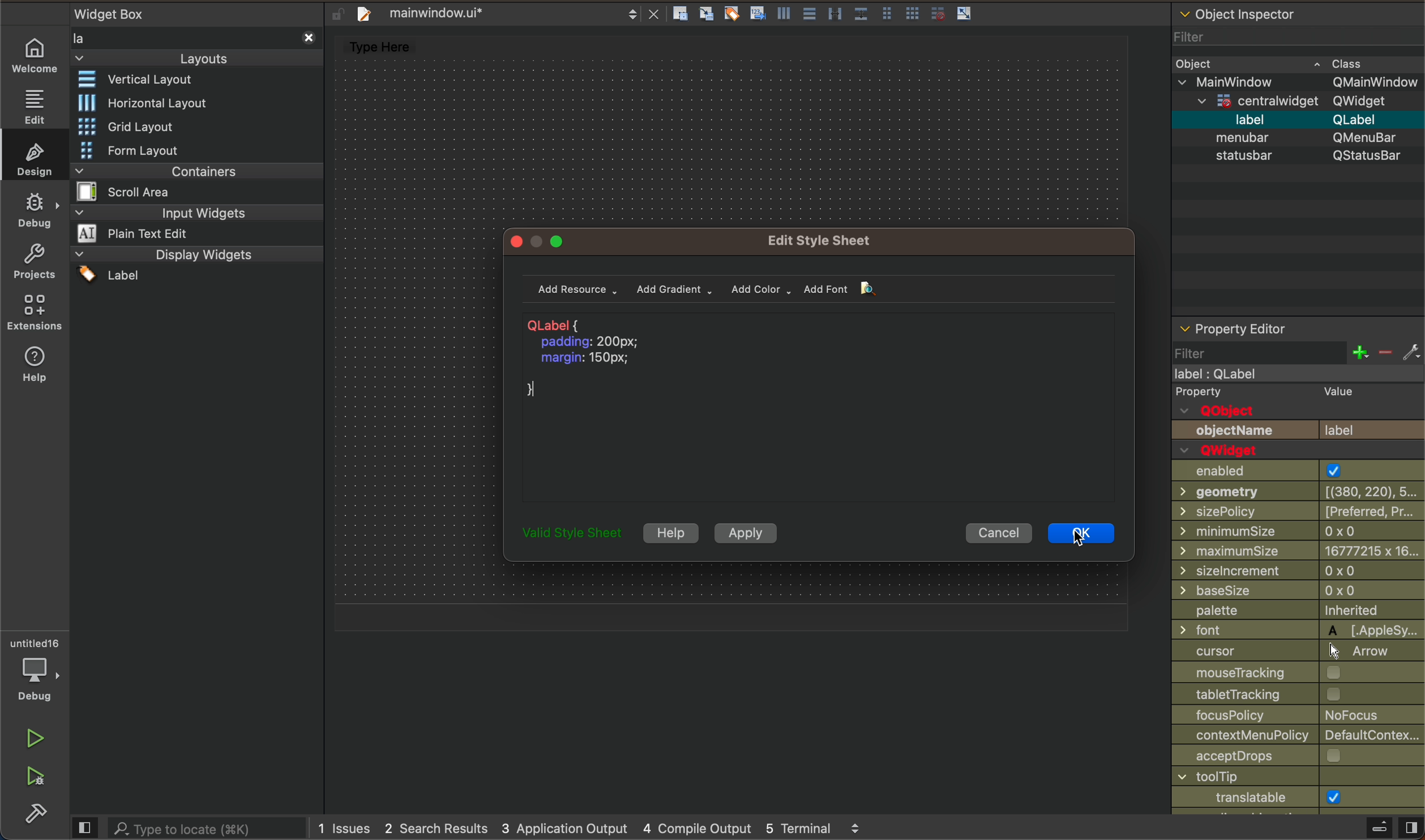  What do you see at coordinates (833, 290) in the screenshot?
I see `add font` at bounding box center [833, 290].